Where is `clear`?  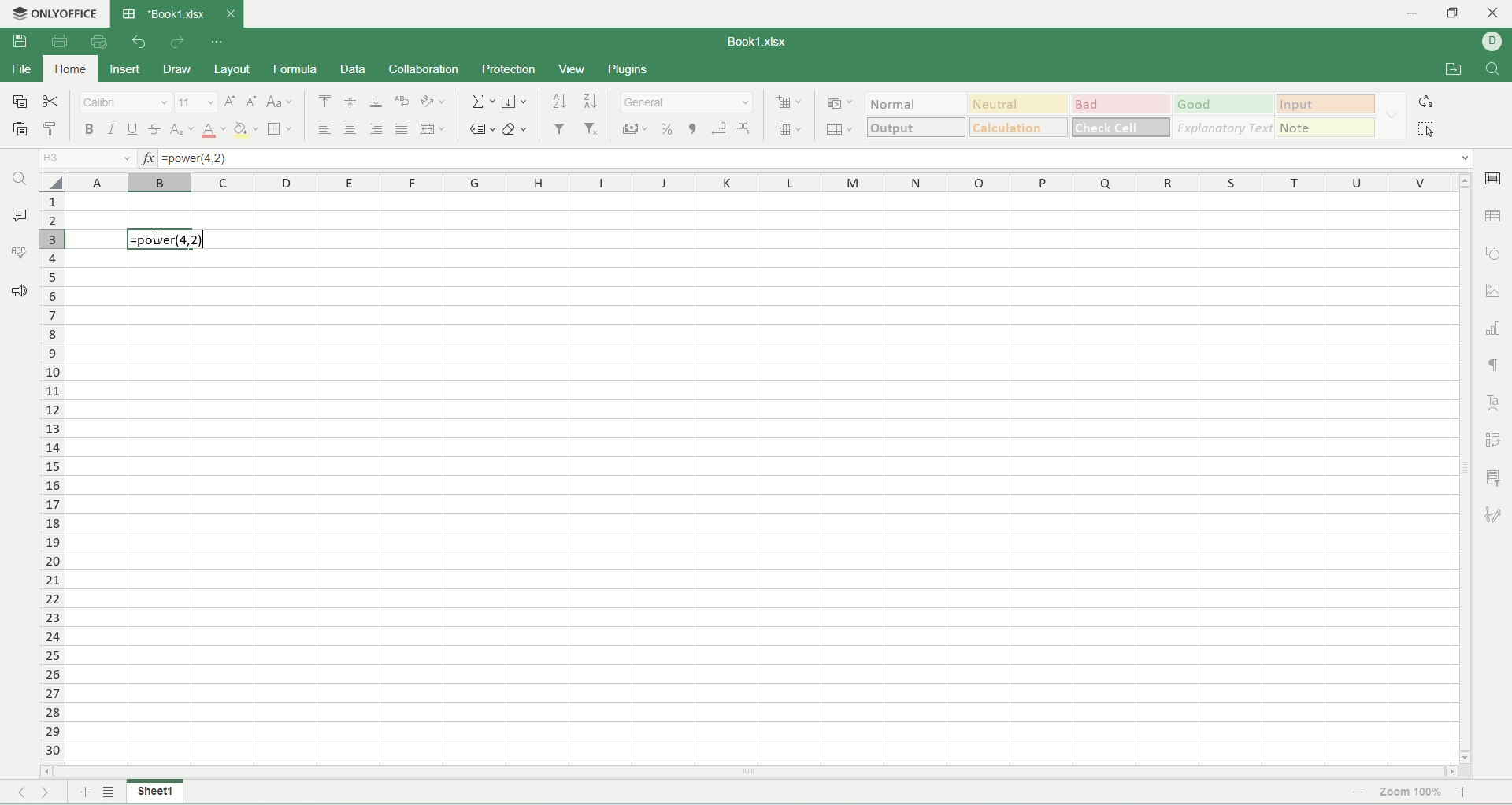
clear is located at coordinates (516, 130).